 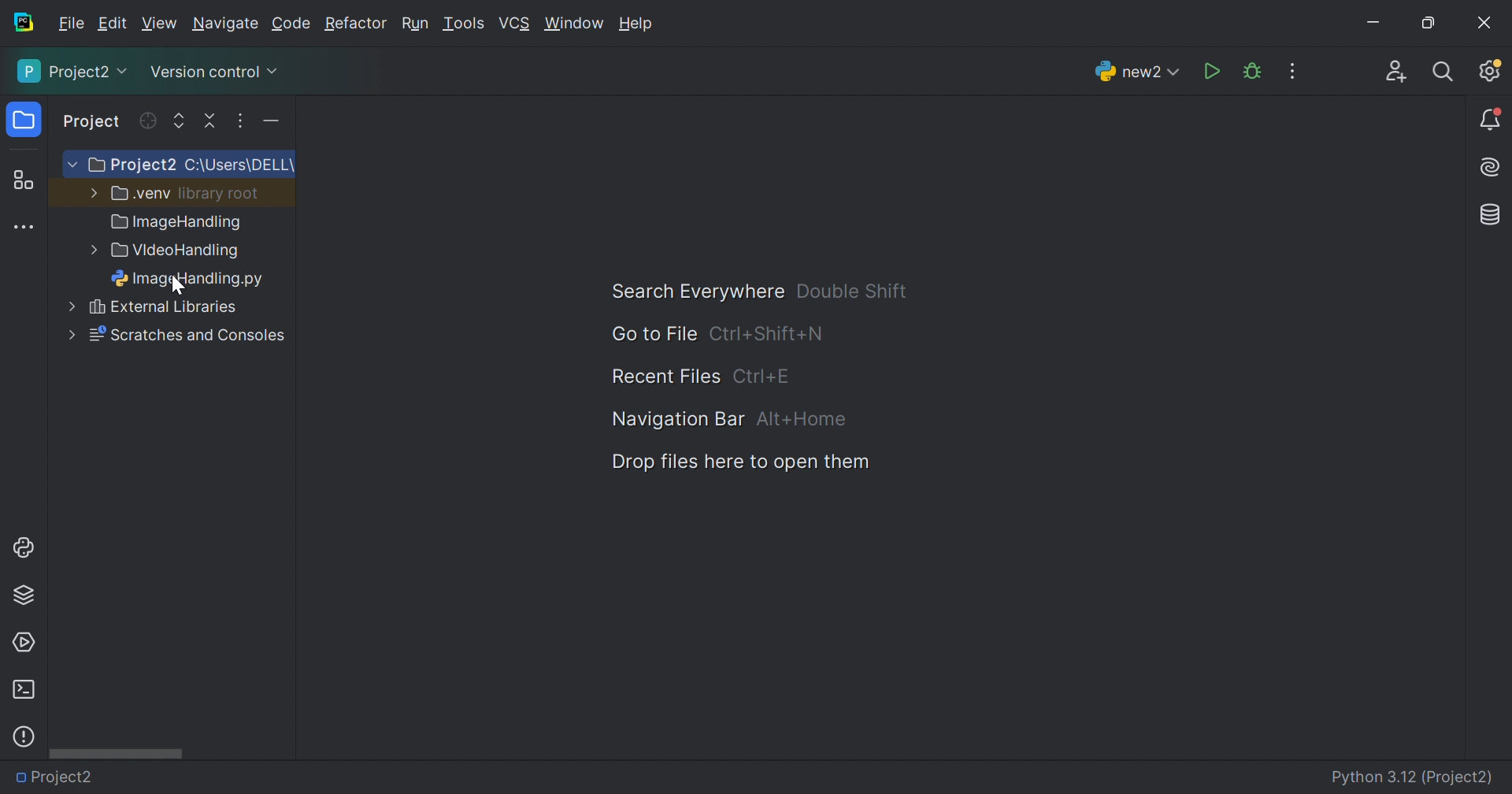 I want to click on more, so click(x=62, y=308).